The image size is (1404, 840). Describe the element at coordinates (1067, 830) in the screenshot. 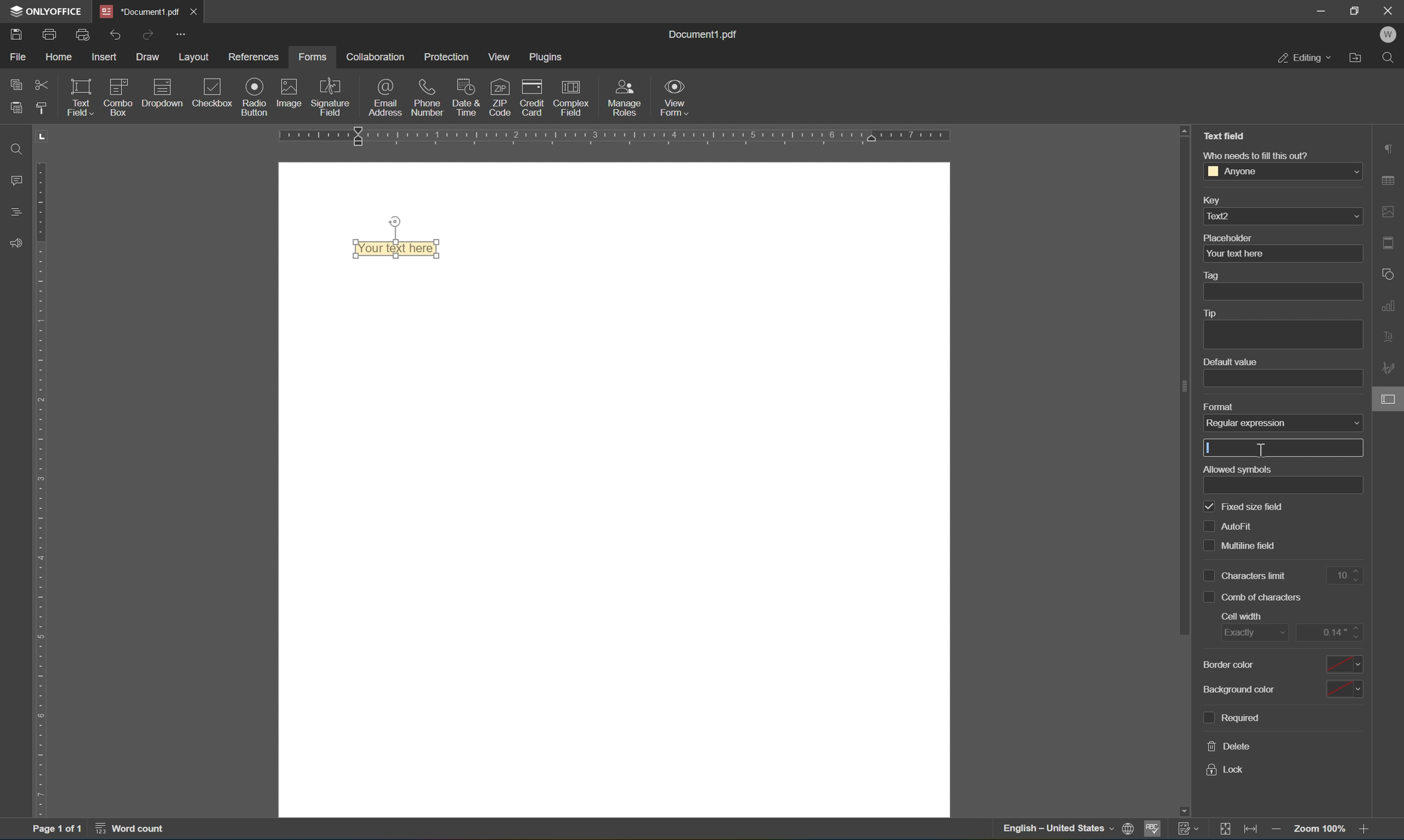

I see `set document language` at that location.